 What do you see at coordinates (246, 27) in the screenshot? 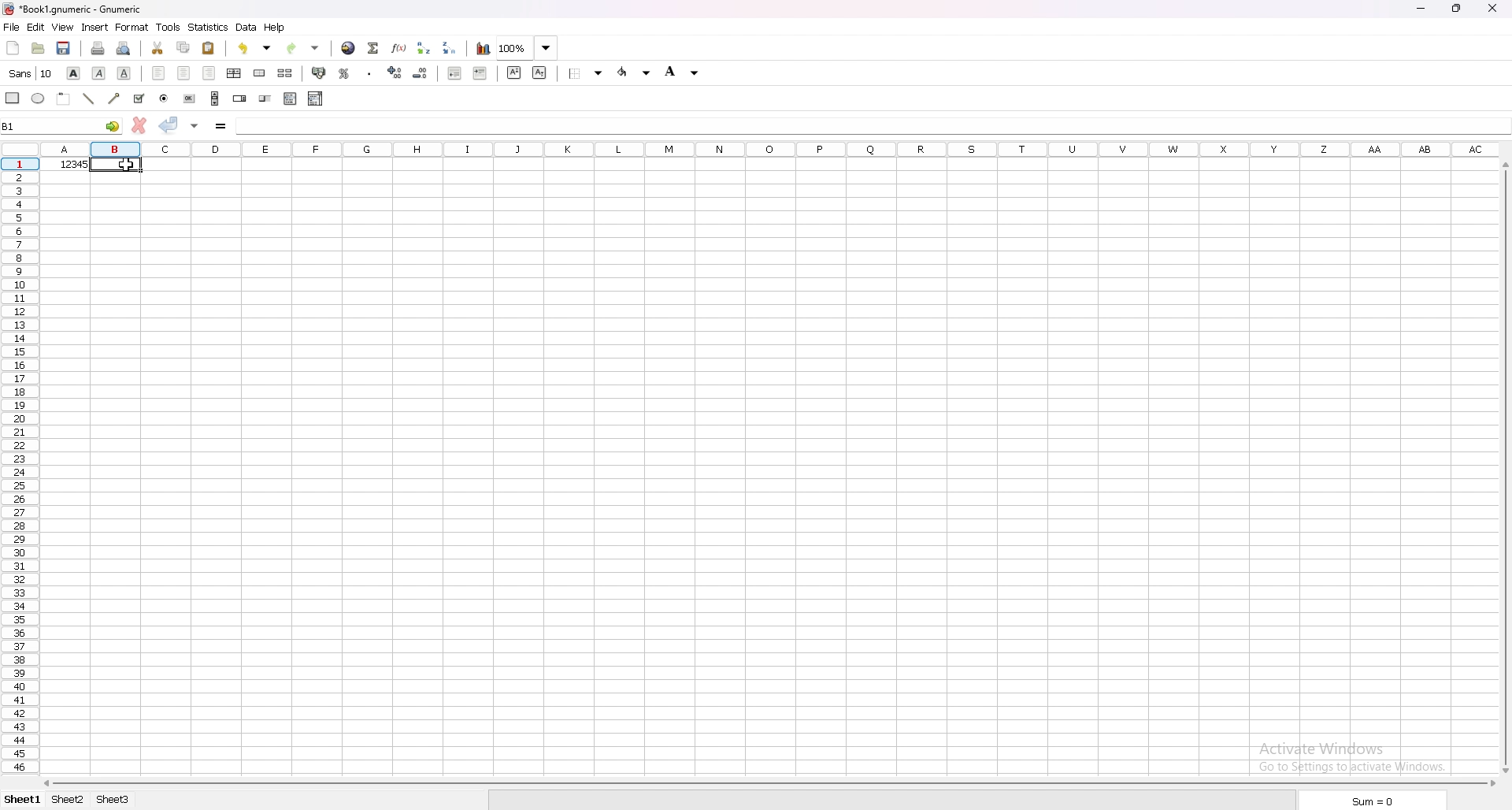
I see `data` at bounding box center [246, 27].